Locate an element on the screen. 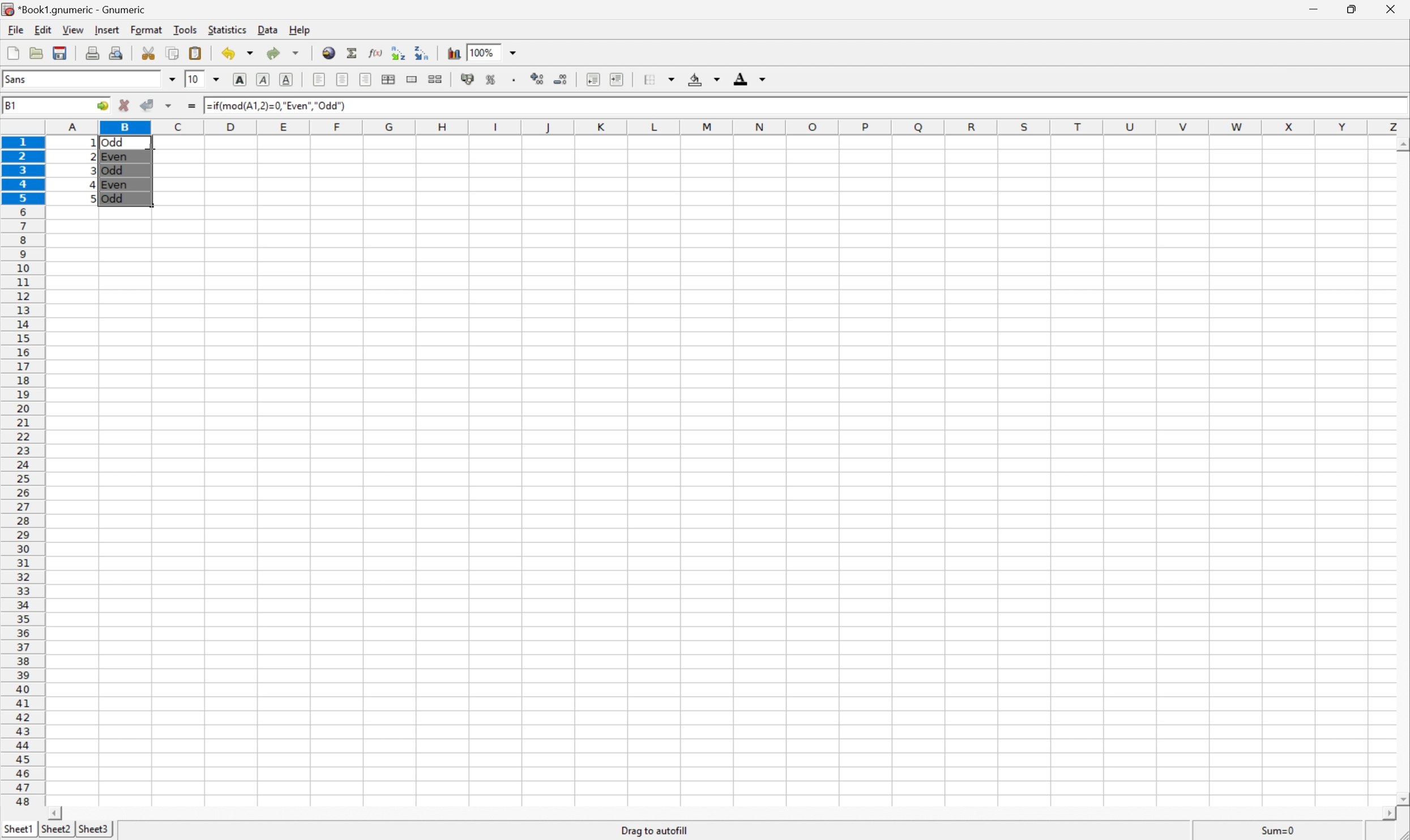 The width and height of the screenshot is (1410, 840). Sheet2 is located at coordinates (57, 830).